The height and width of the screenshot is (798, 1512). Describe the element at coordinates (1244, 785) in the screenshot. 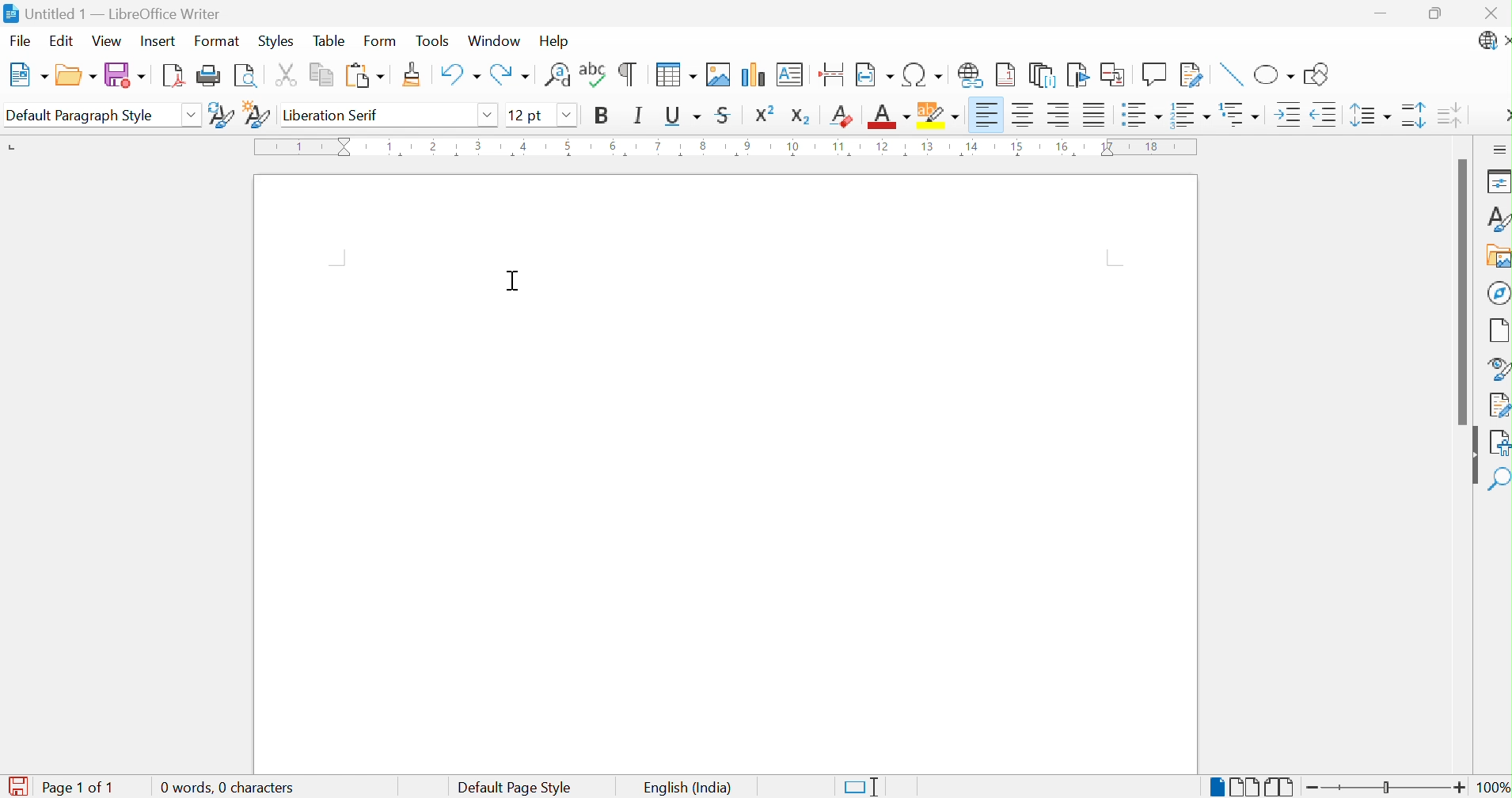

I see `Multiple-page View` at that location.